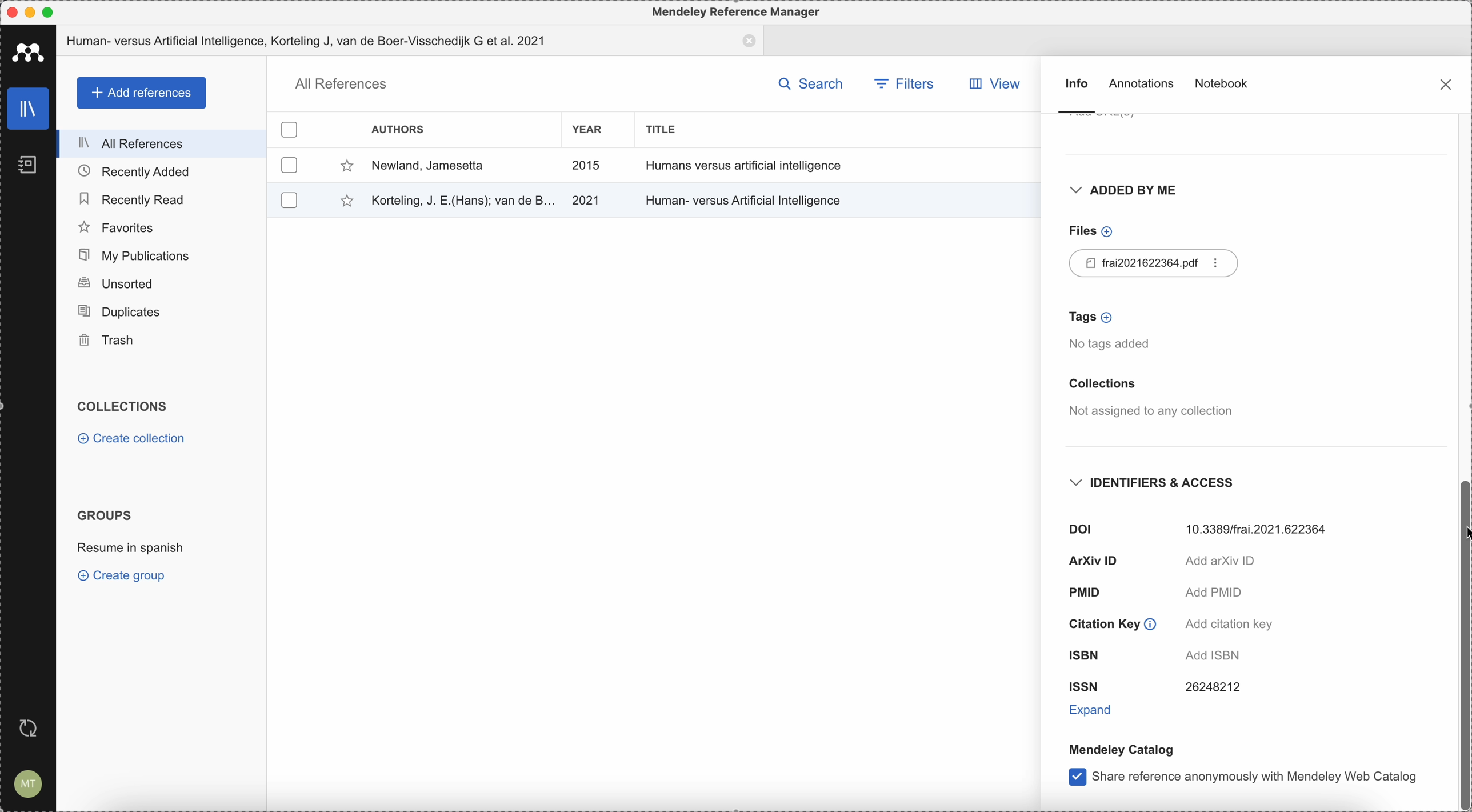  What do you see at coordinates (1143, 86) in the screenshot?
I see `annotations` at bounding box center [1143, 86].